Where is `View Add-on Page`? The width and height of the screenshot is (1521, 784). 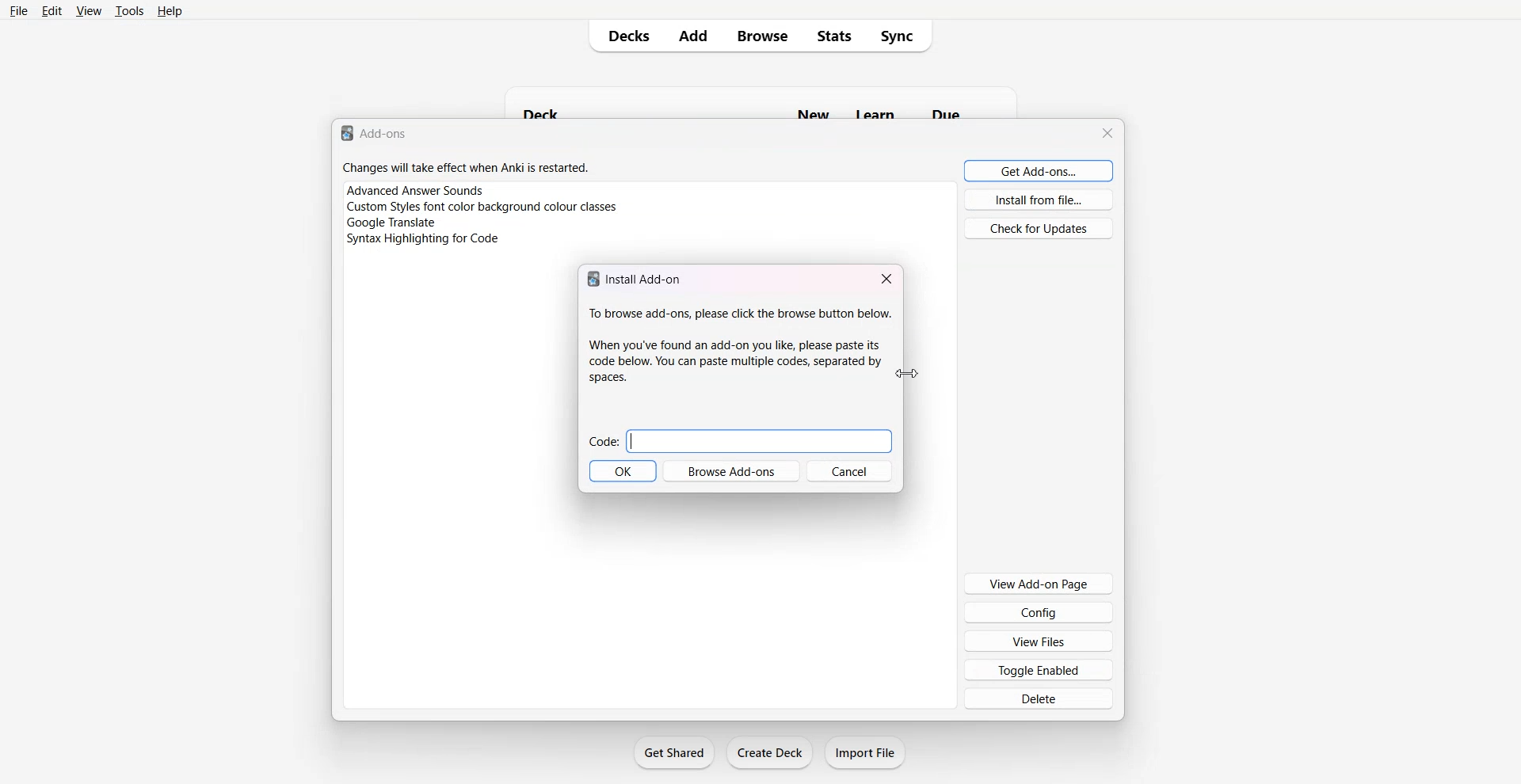
View Add-on Page is located at coordinates (1039, 584).